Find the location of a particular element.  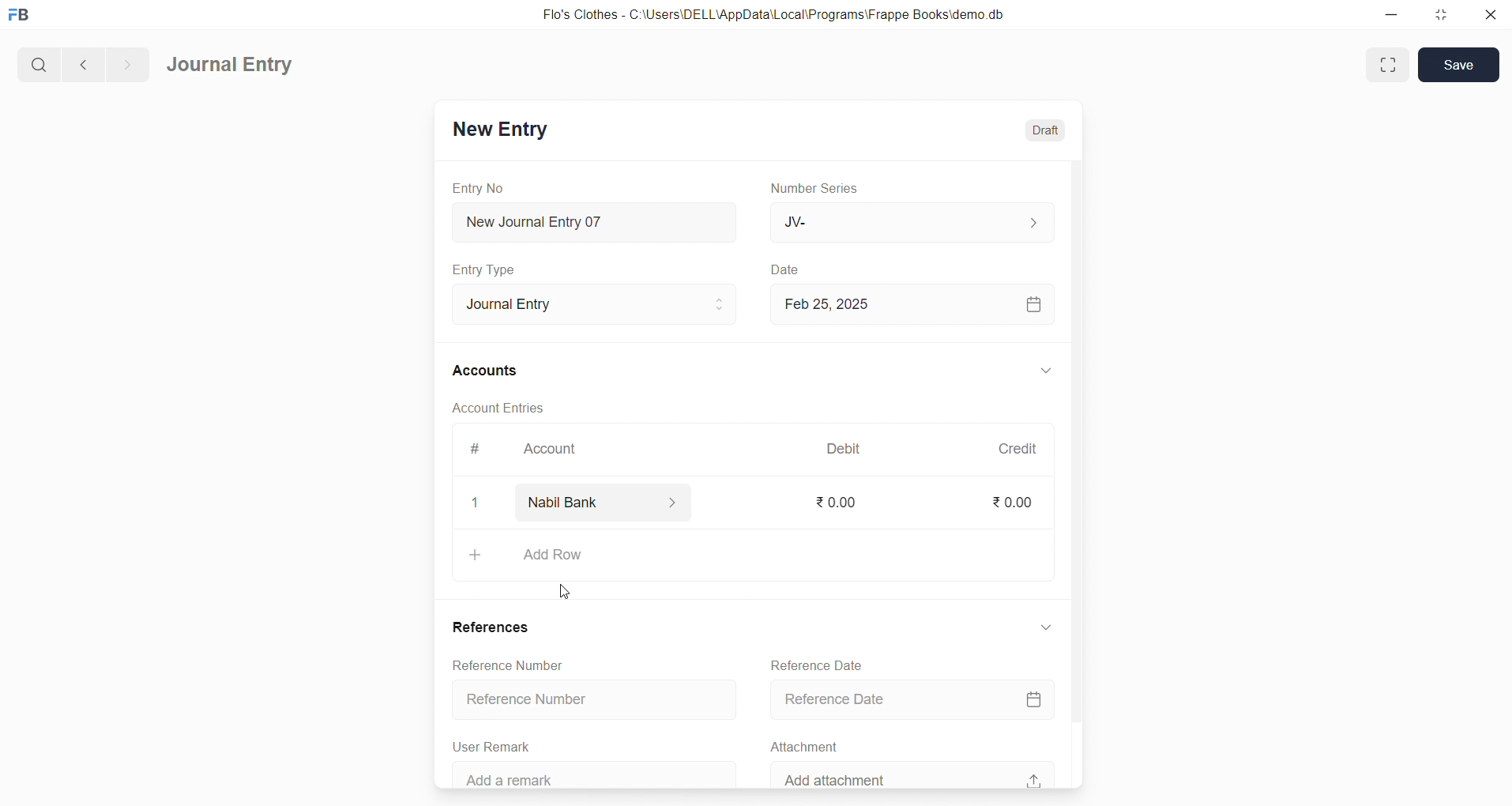

Reference Date is located at coordinates (818, 663).